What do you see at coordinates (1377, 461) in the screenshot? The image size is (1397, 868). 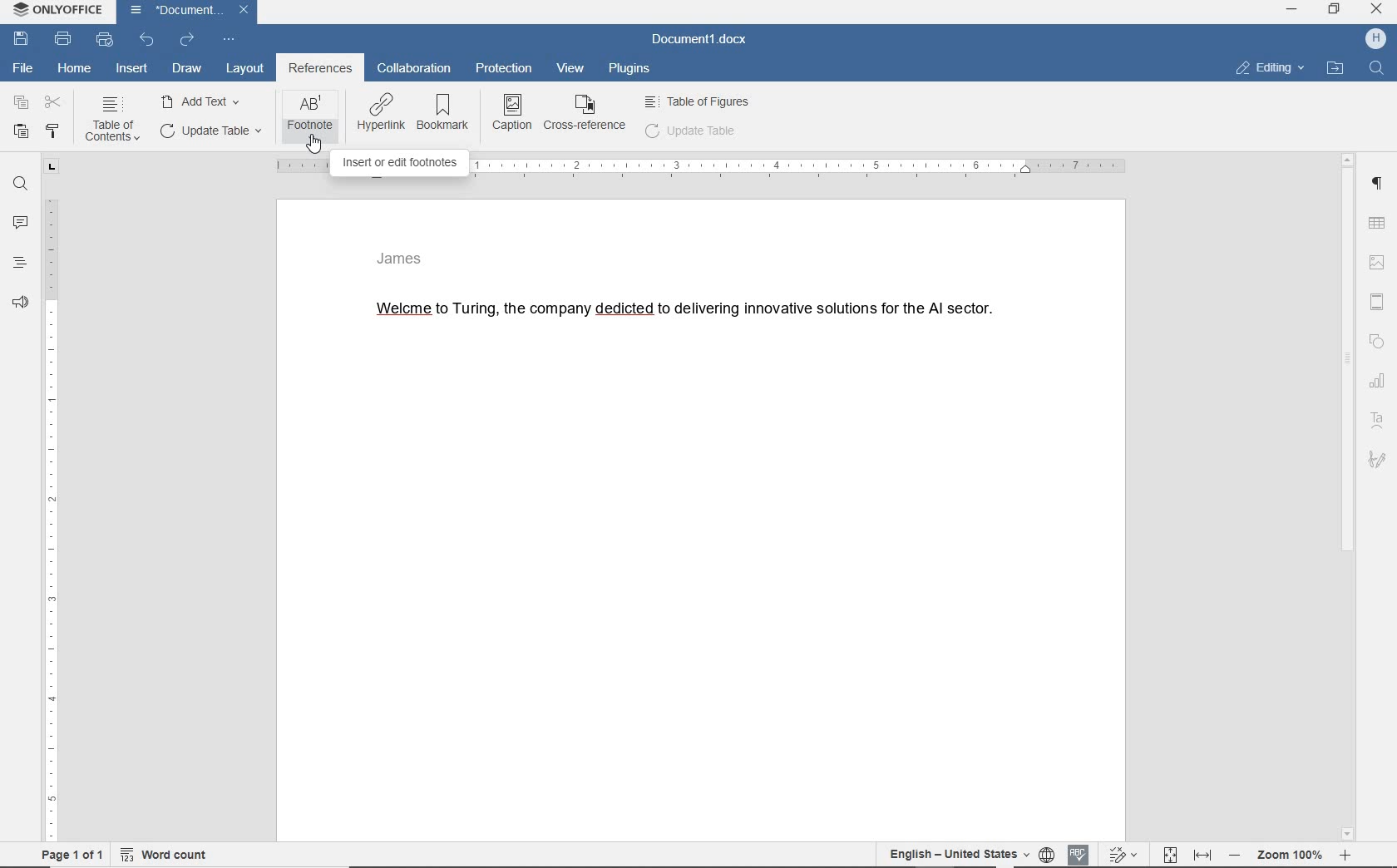 I see `SIGNATURE` at bounding box center [1377, 461].